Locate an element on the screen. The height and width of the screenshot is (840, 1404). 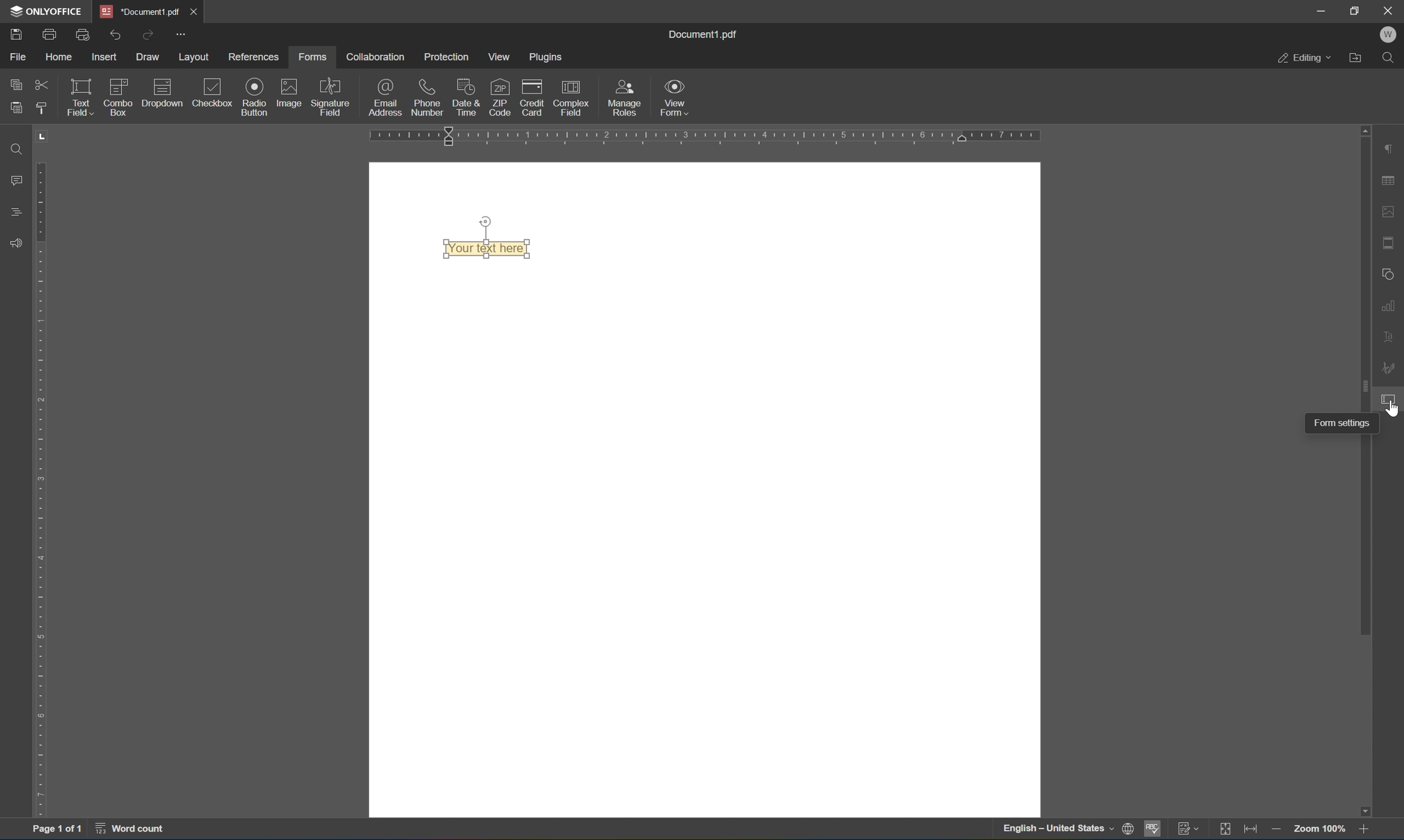
credit card is located at coordinates (532, 99).